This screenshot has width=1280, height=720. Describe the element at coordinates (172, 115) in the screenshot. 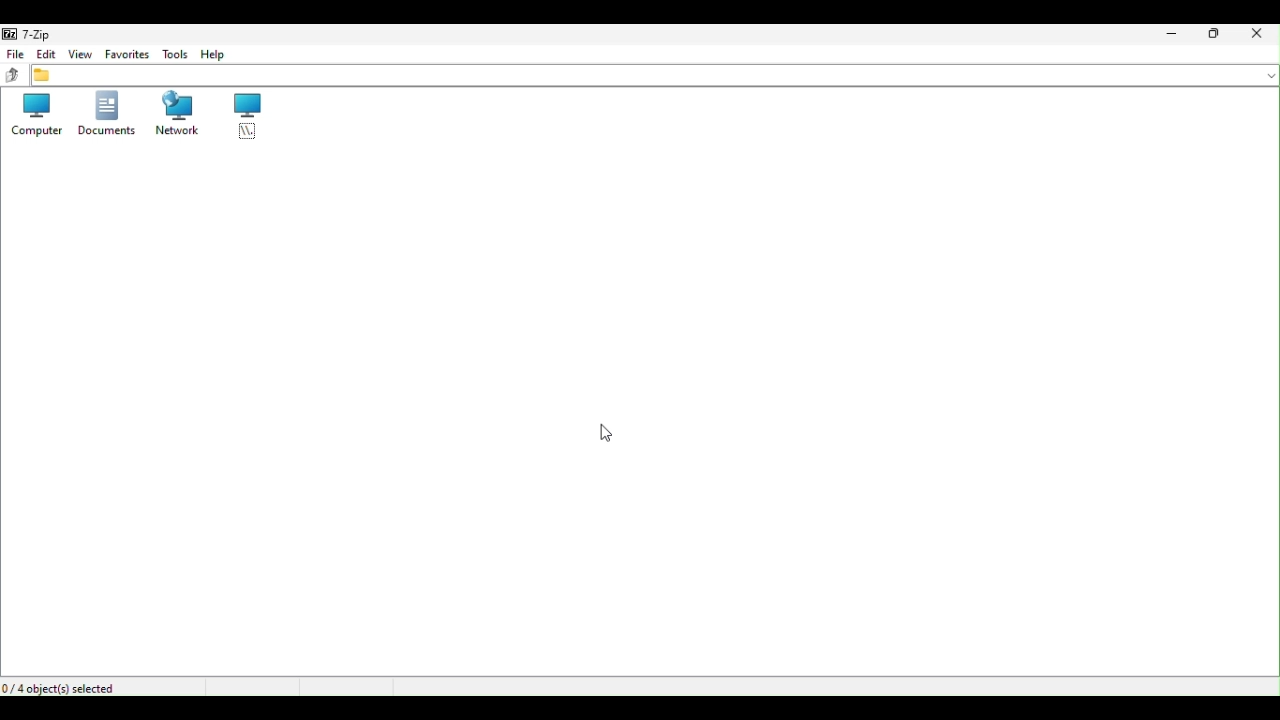

I see `Network` at that location.